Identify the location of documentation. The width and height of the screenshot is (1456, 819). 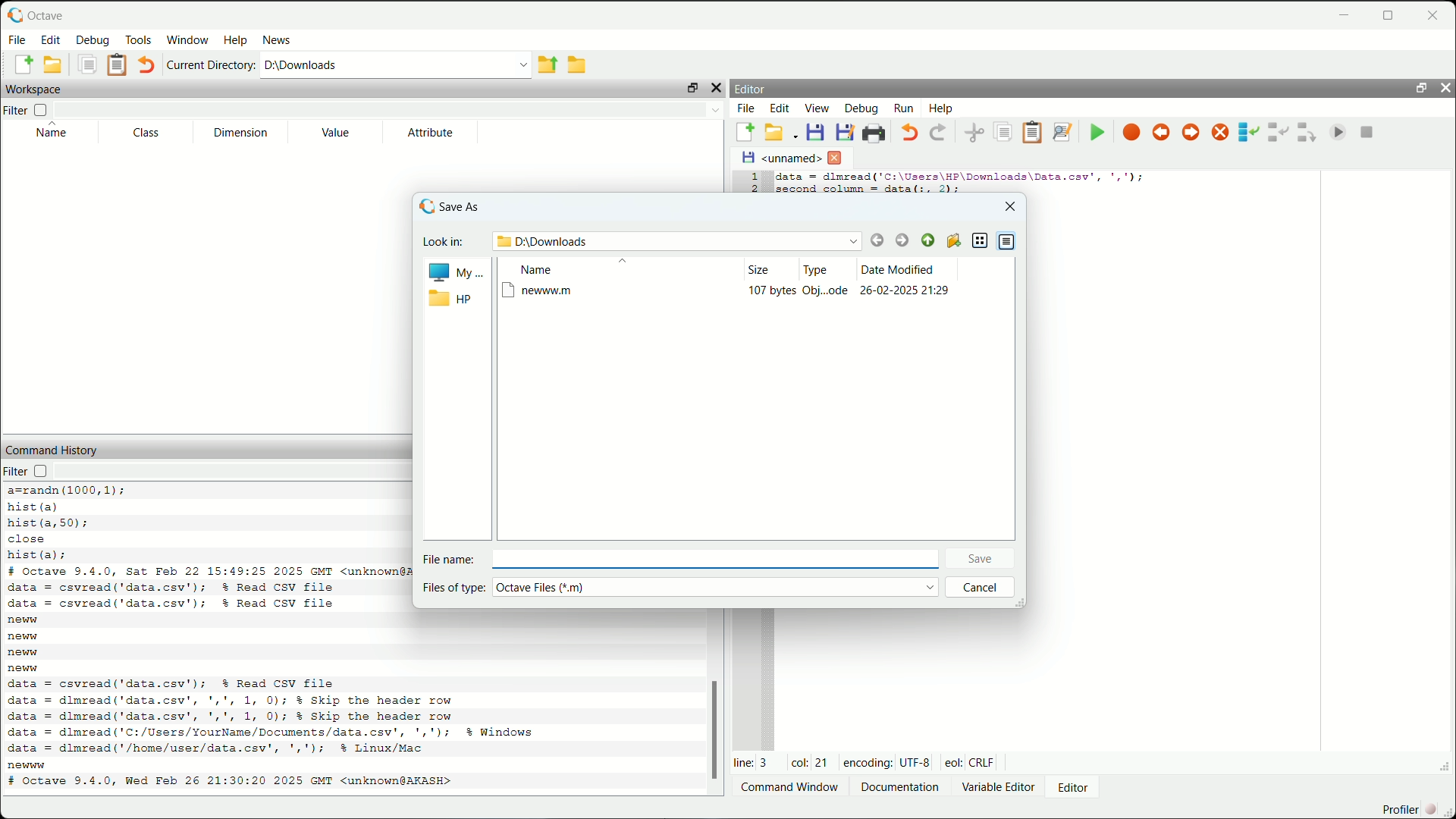
(901, 786).